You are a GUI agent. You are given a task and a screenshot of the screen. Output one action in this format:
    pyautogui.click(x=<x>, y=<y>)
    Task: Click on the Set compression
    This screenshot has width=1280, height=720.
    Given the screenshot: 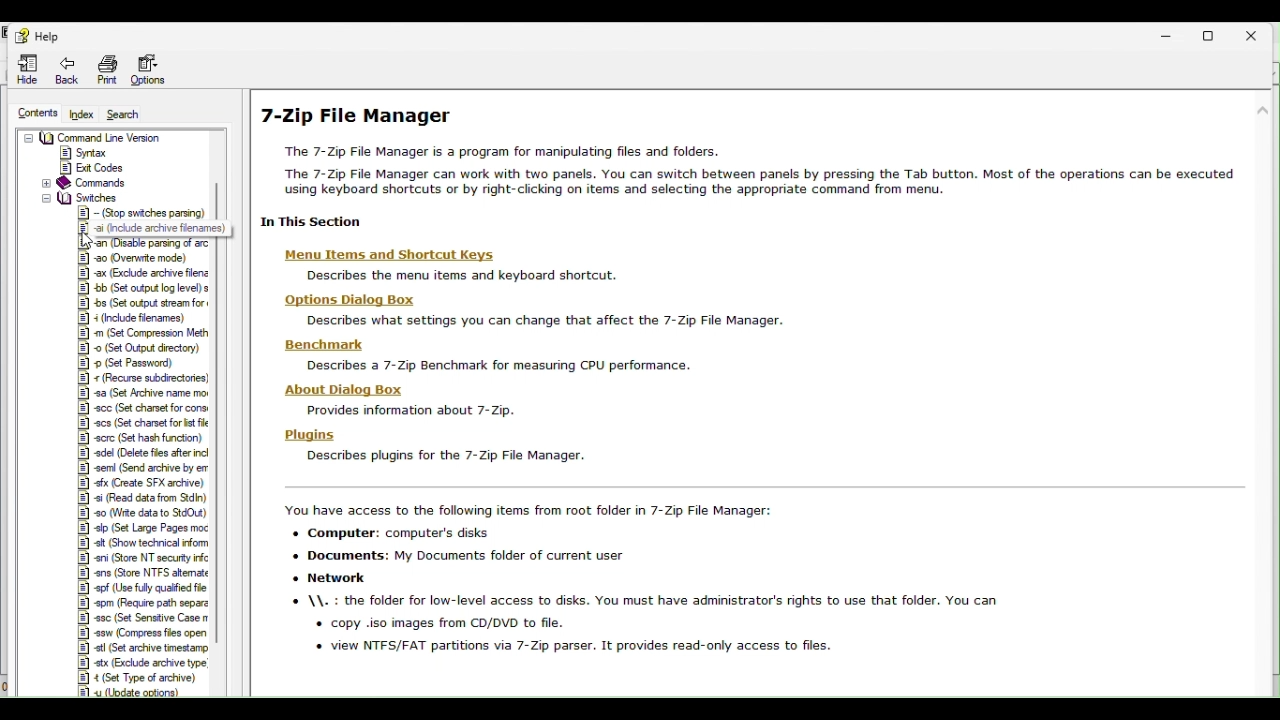 What is the action you would take?
    pyautogui.click(x=143, y=332)
    